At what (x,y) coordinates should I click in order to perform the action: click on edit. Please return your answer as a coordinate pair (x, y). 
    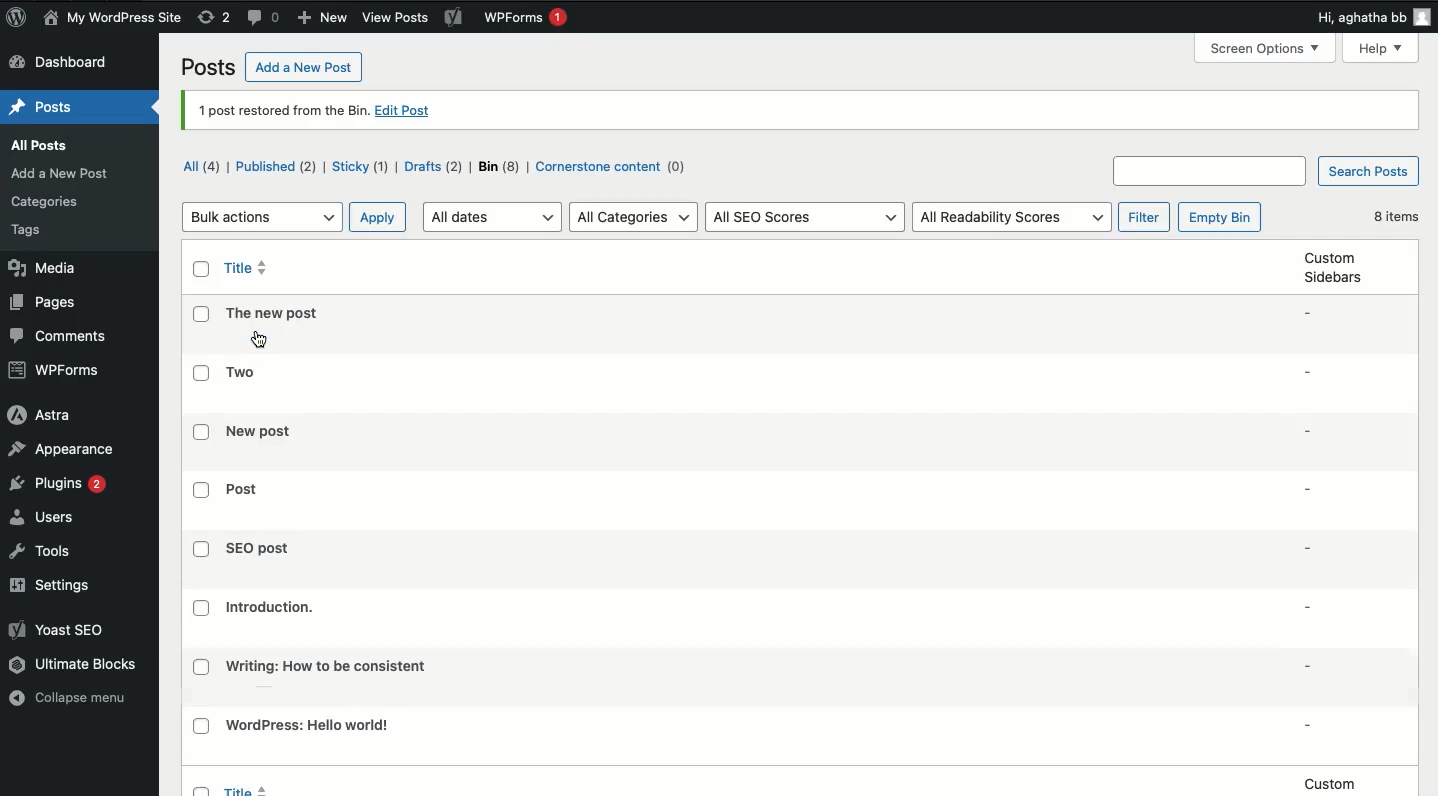
    Looking at the image, I should click on (404, 110).